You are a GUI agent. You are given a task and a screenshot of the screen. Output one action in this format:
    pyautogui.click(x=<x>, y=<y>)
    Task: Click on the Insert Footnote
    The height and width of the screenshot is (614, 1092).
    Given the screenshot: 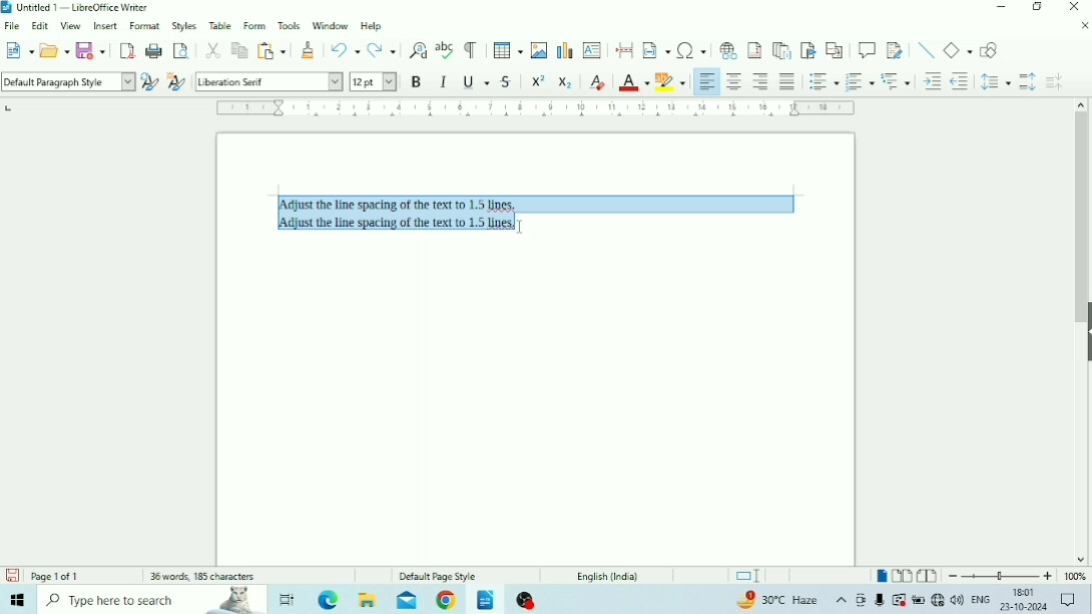 What is the action you would take?
    pyautogui.click(x=756, y=49)
    